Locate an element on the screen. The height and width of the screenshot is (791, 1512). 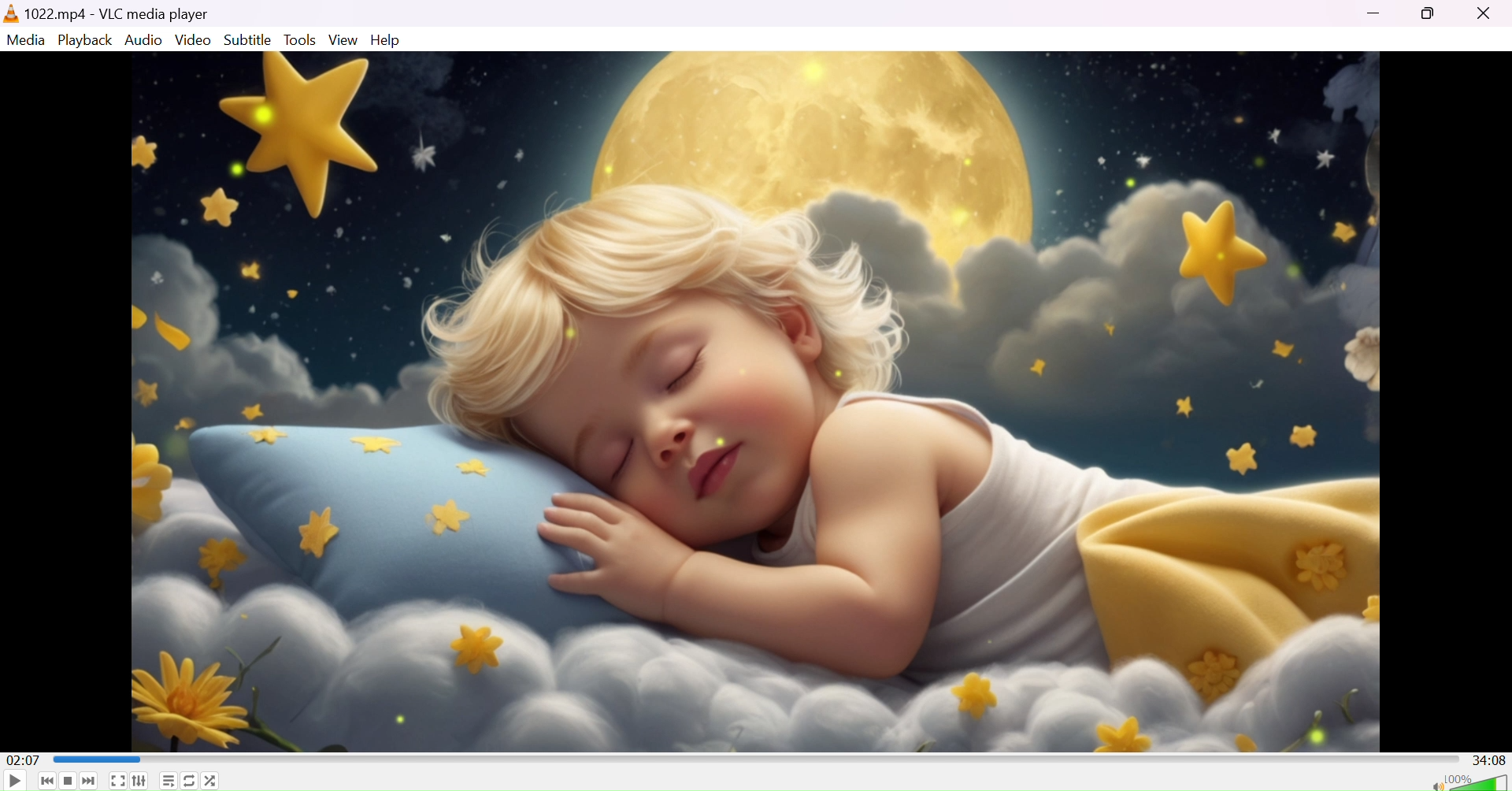
Restore down is located at coordinates (1431, 13).